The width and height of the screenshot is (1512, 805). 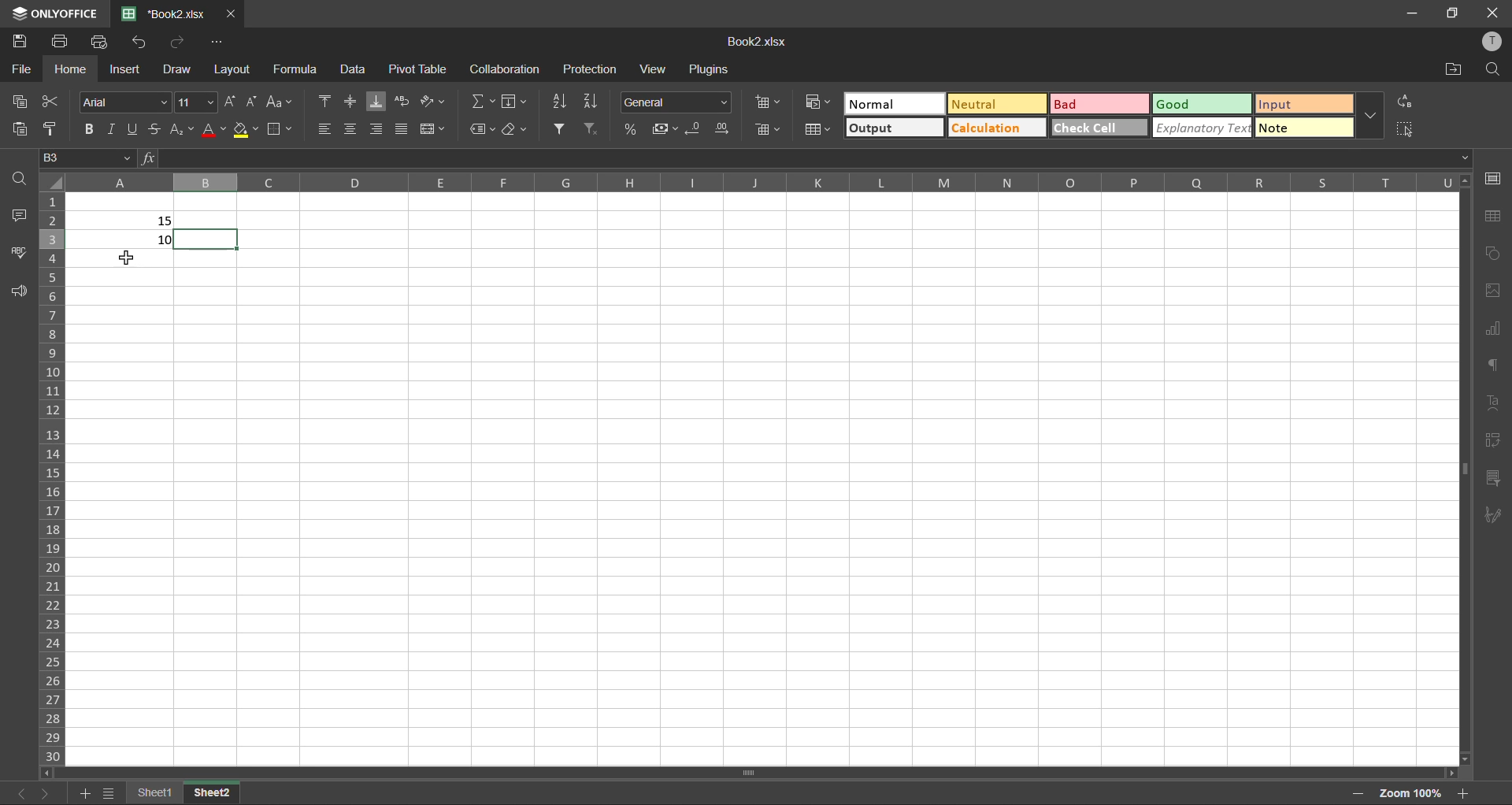 I want to click on comments, so click(x=22, y=216).